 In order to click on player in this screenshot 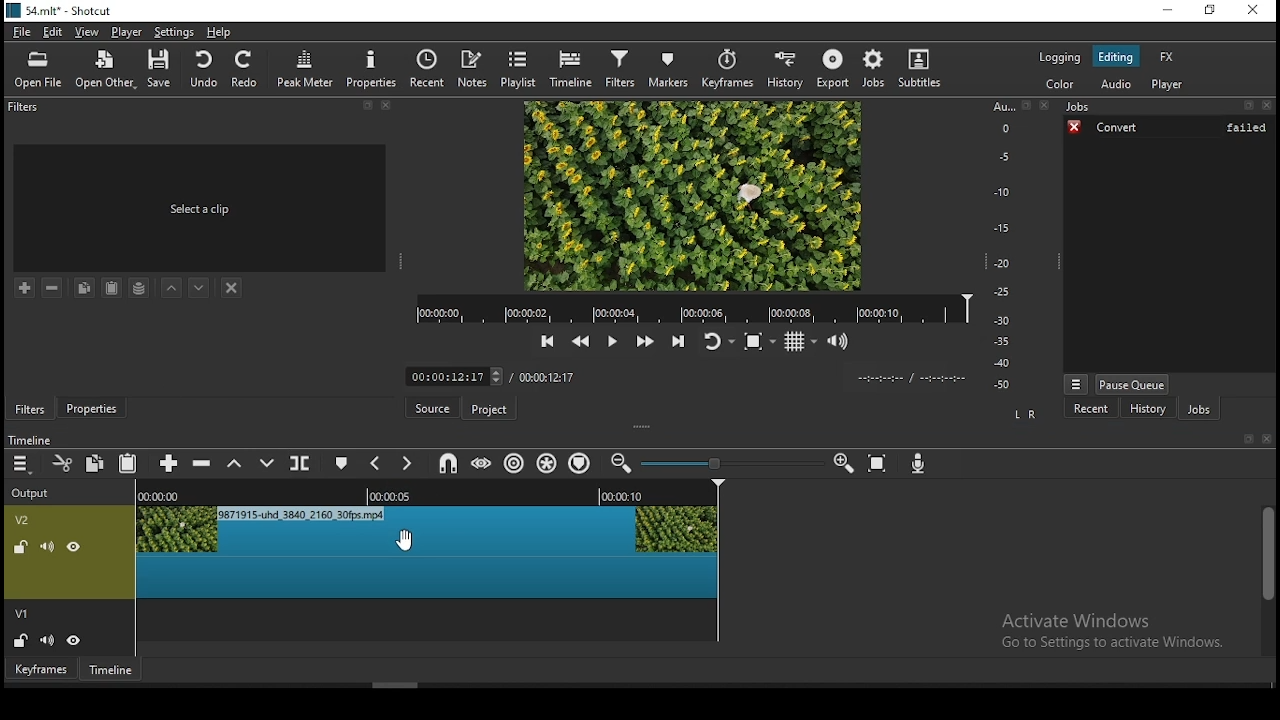, I will do `click(1168, 83)`.